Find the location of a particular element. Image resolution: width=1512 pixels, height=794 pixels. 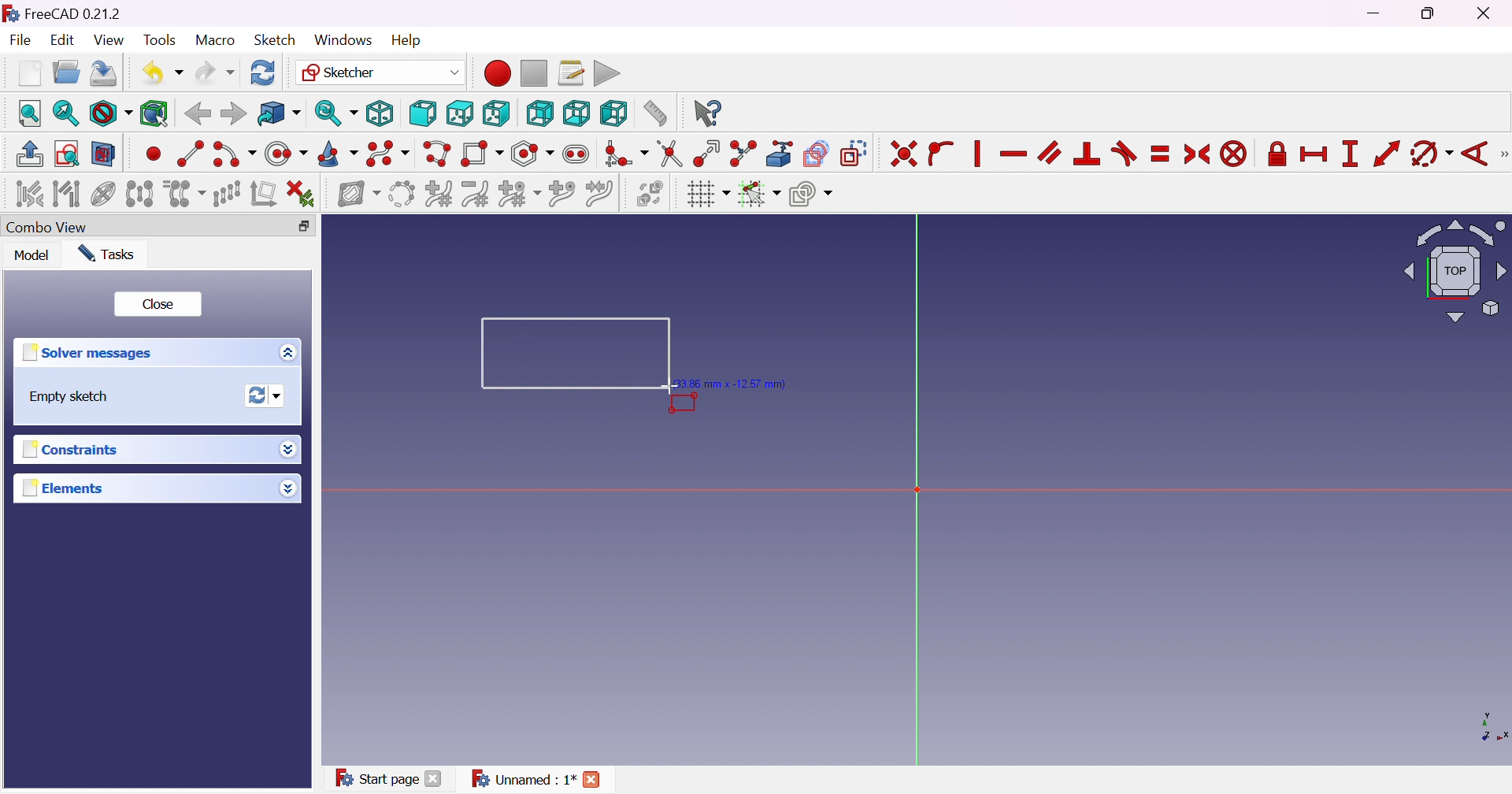

Constrain coincident is located at coordinates (902, 154).